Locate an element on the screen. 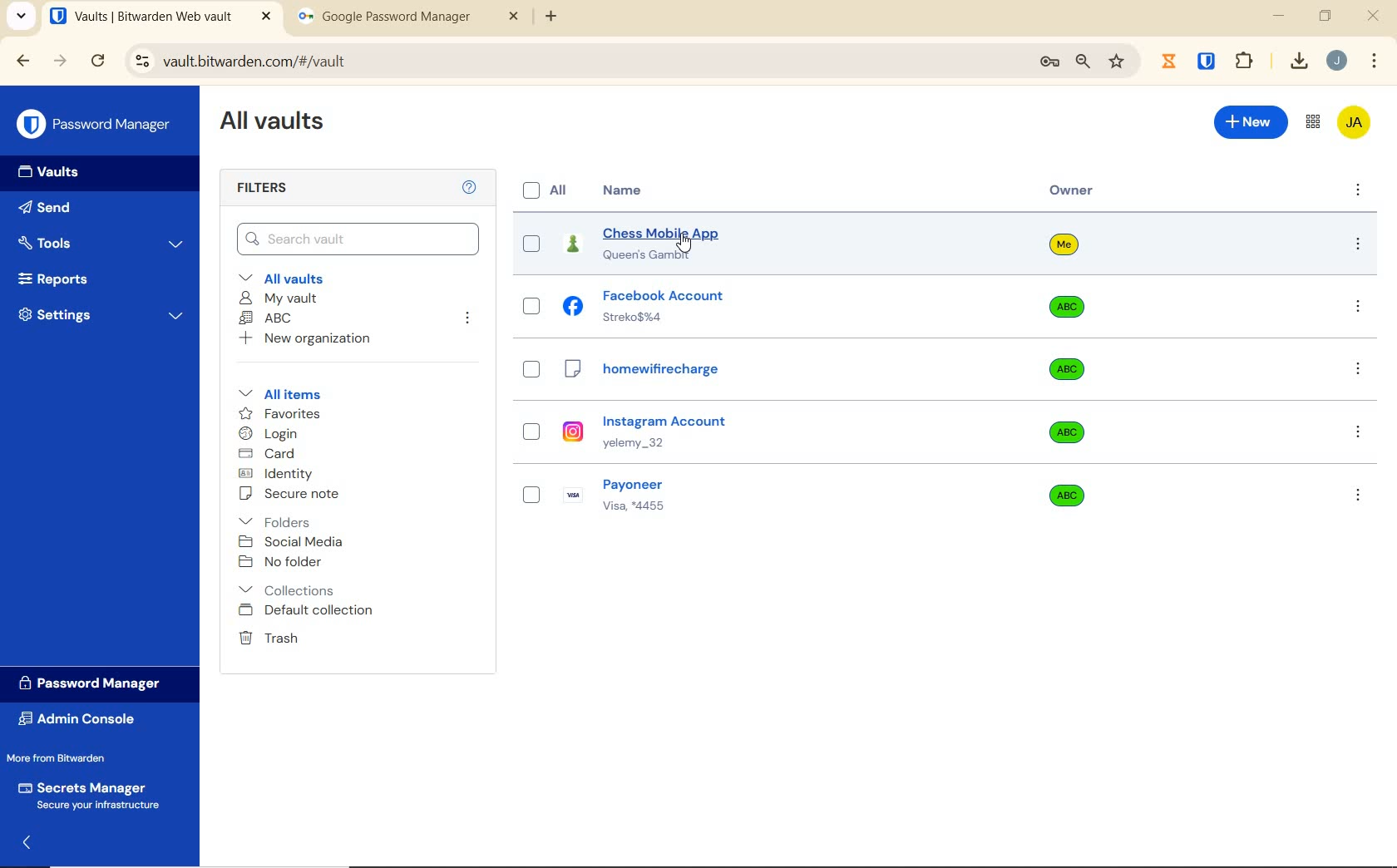 Image resolution: width=1397 pixels, height=868 pixels. abc is located at coordinates (1069, 303).